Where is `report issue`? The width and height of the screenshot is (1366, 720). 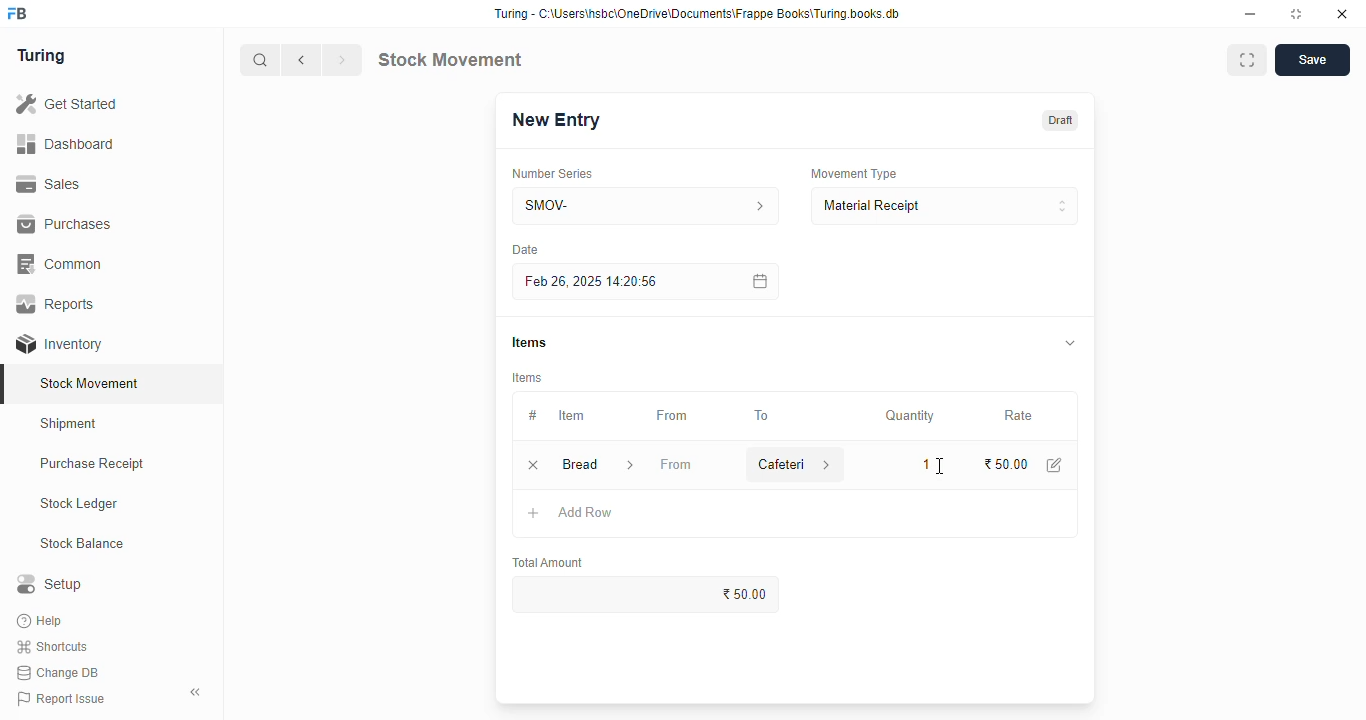 report issue is located at coordinates (61, 698).